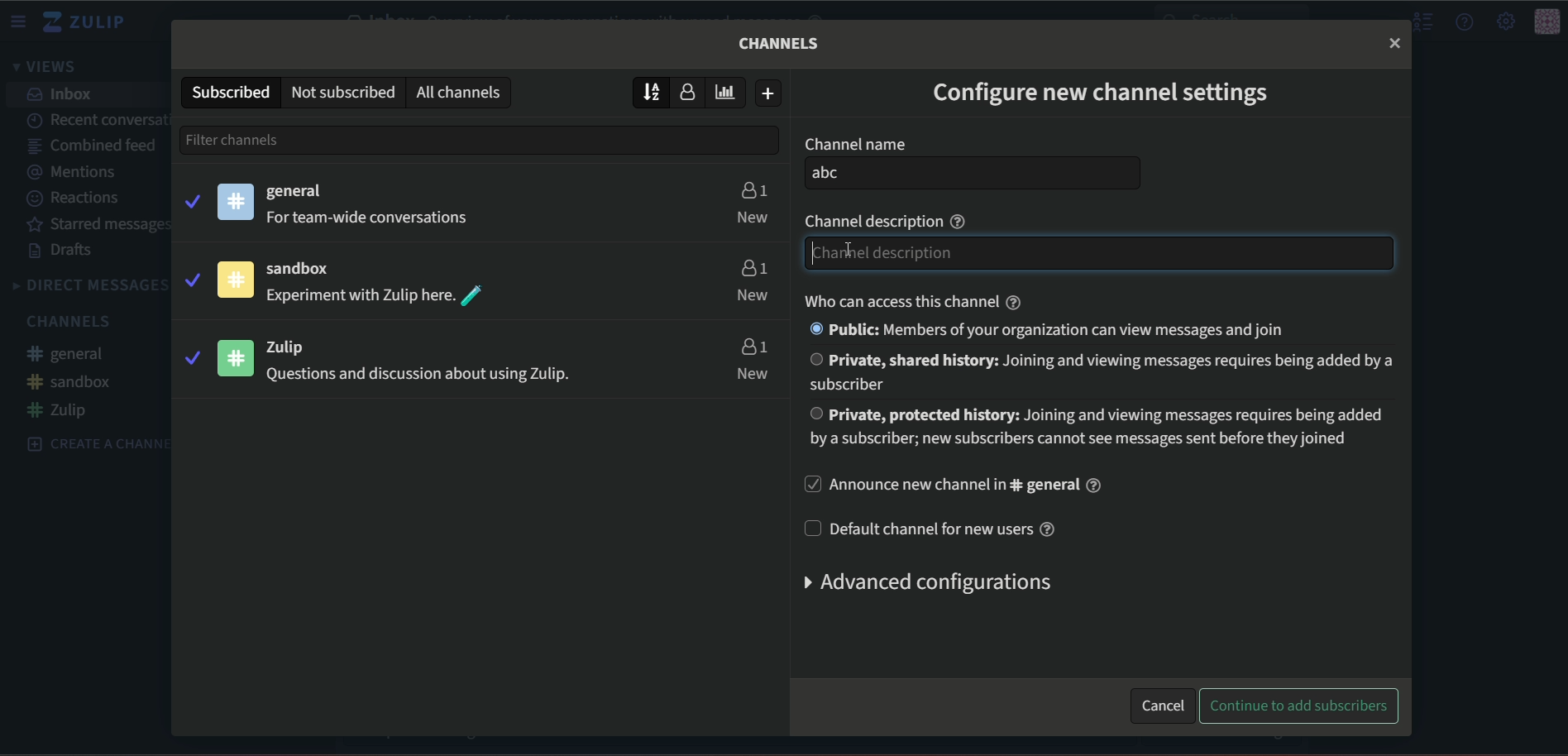  What do you see at coordinates (753, 296) in the screenshot?
I see `new` at bounding box center [753, 296].